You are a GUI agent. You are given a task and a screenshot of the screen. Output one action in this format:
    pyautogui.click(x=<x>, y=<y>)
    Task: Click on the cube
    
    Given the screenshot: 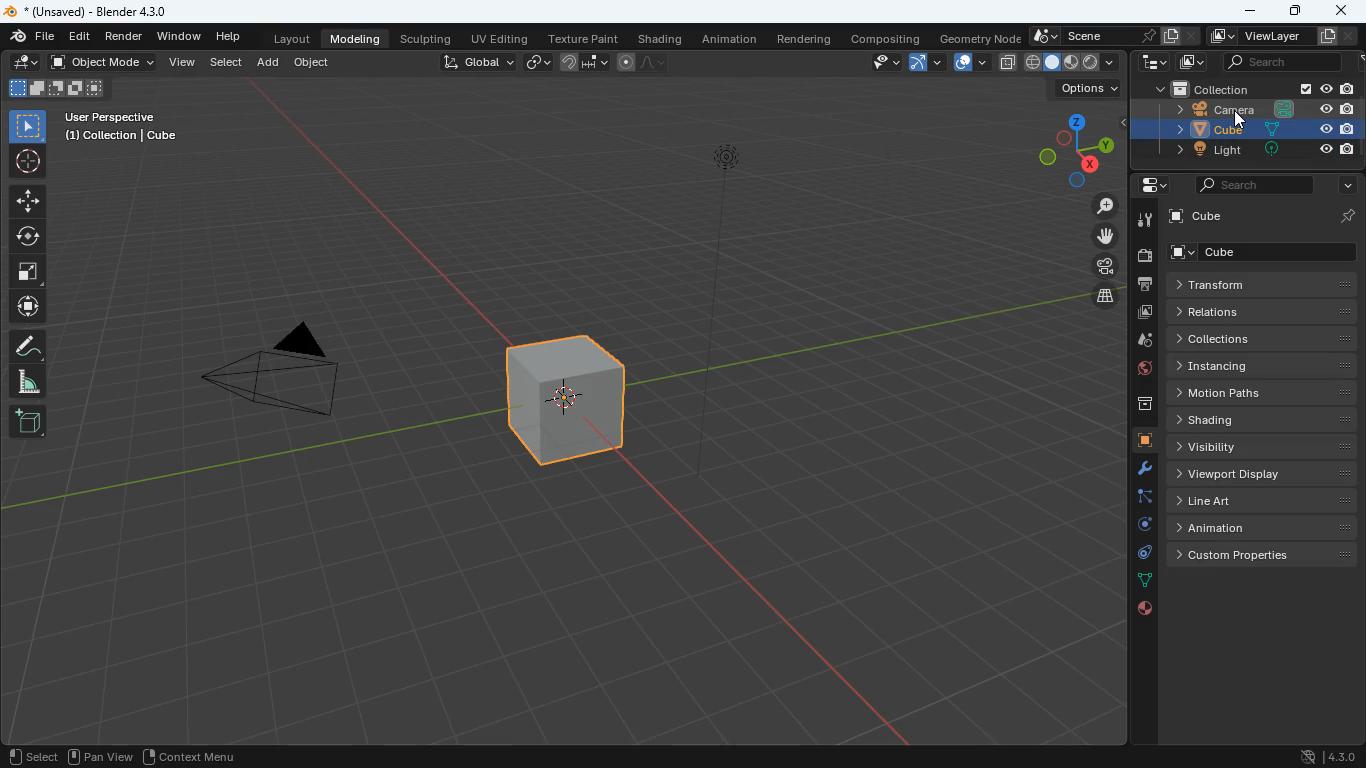 What is the action you would take?
    pyautogui.click(x=1266, y=250)
    